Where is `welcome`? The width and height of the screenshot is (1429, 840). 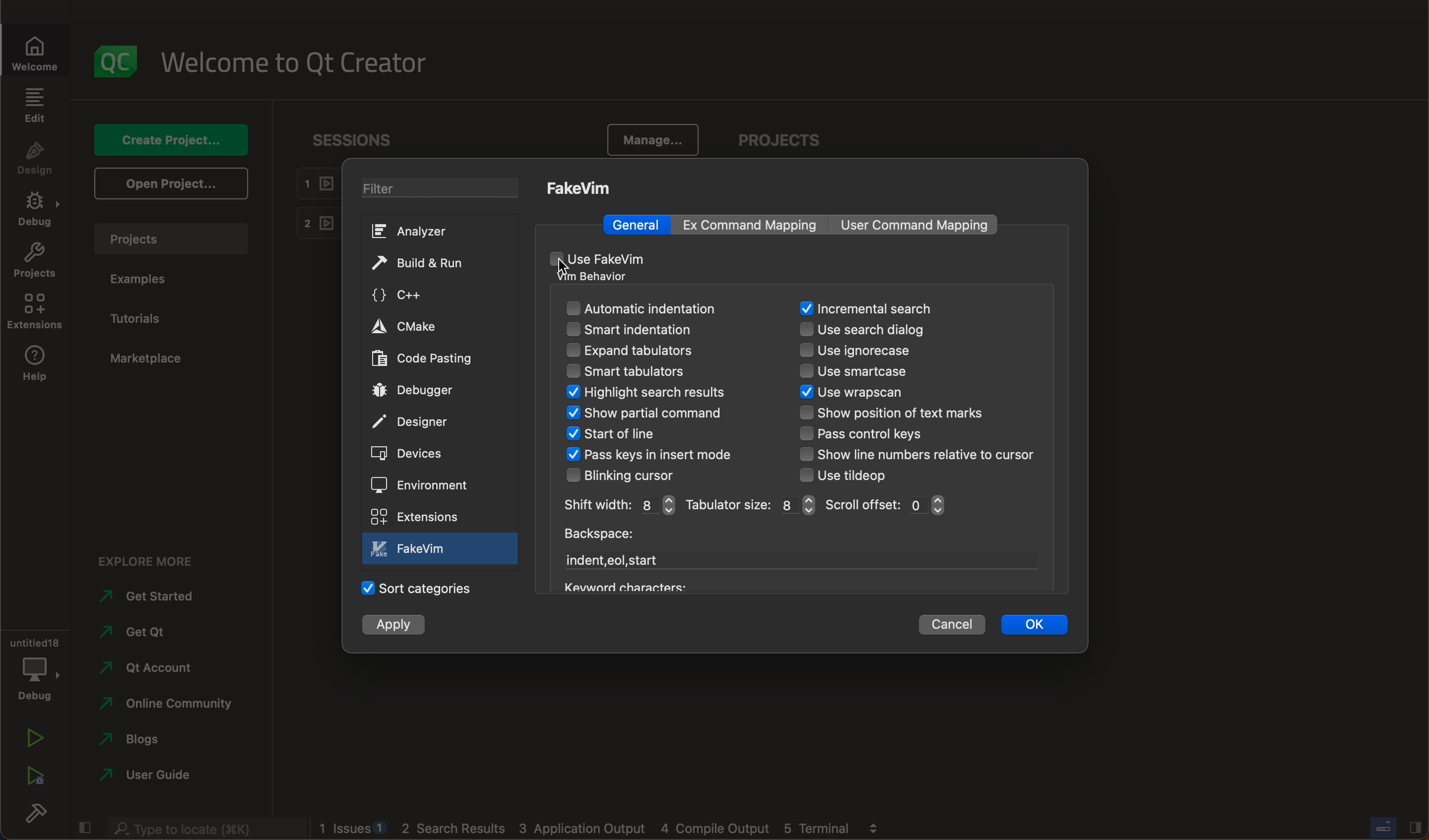 welcome is located at coordinates (36, 53).